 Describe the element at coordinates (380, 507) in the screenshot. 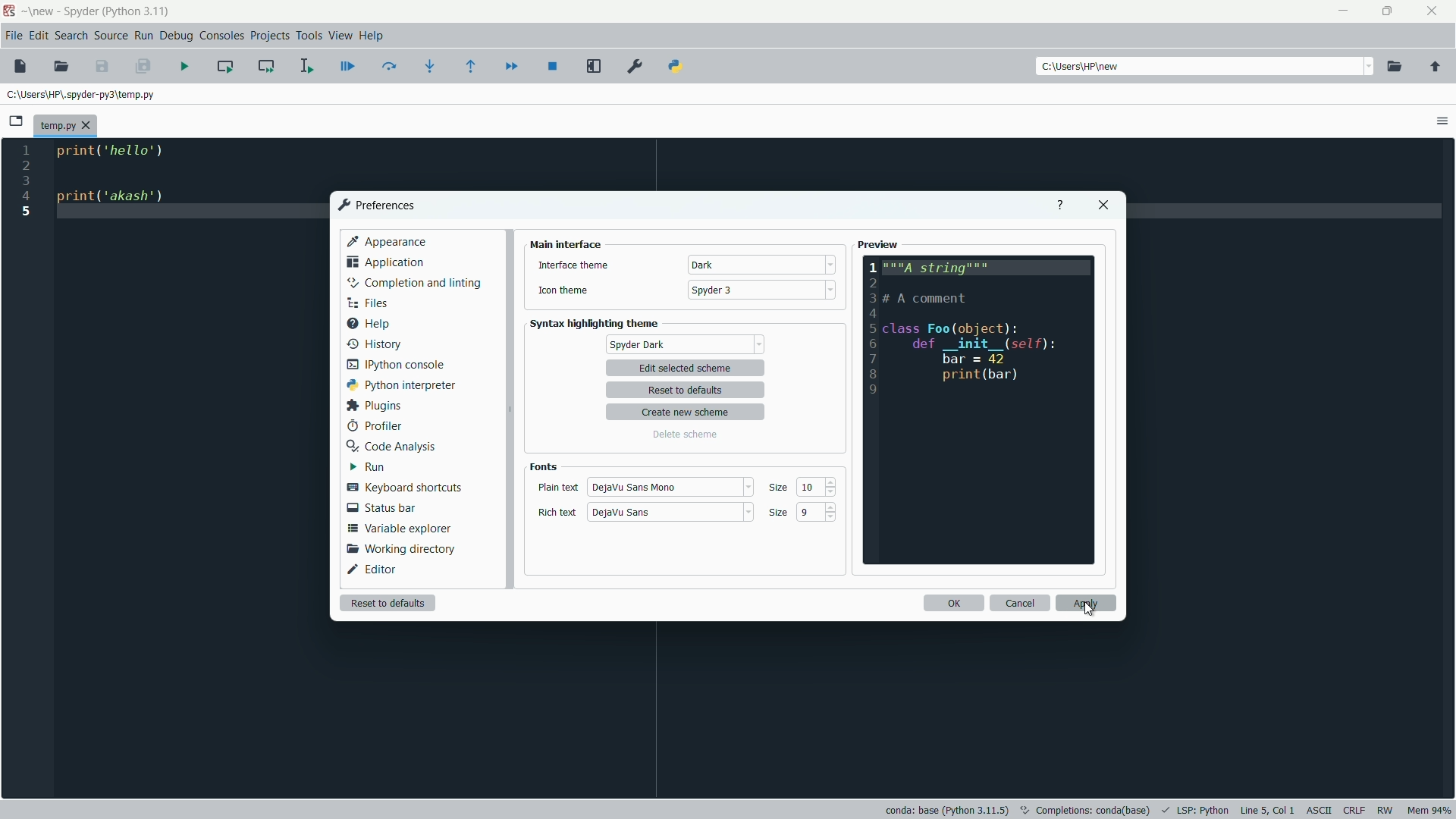

I see `status bar` at that location.